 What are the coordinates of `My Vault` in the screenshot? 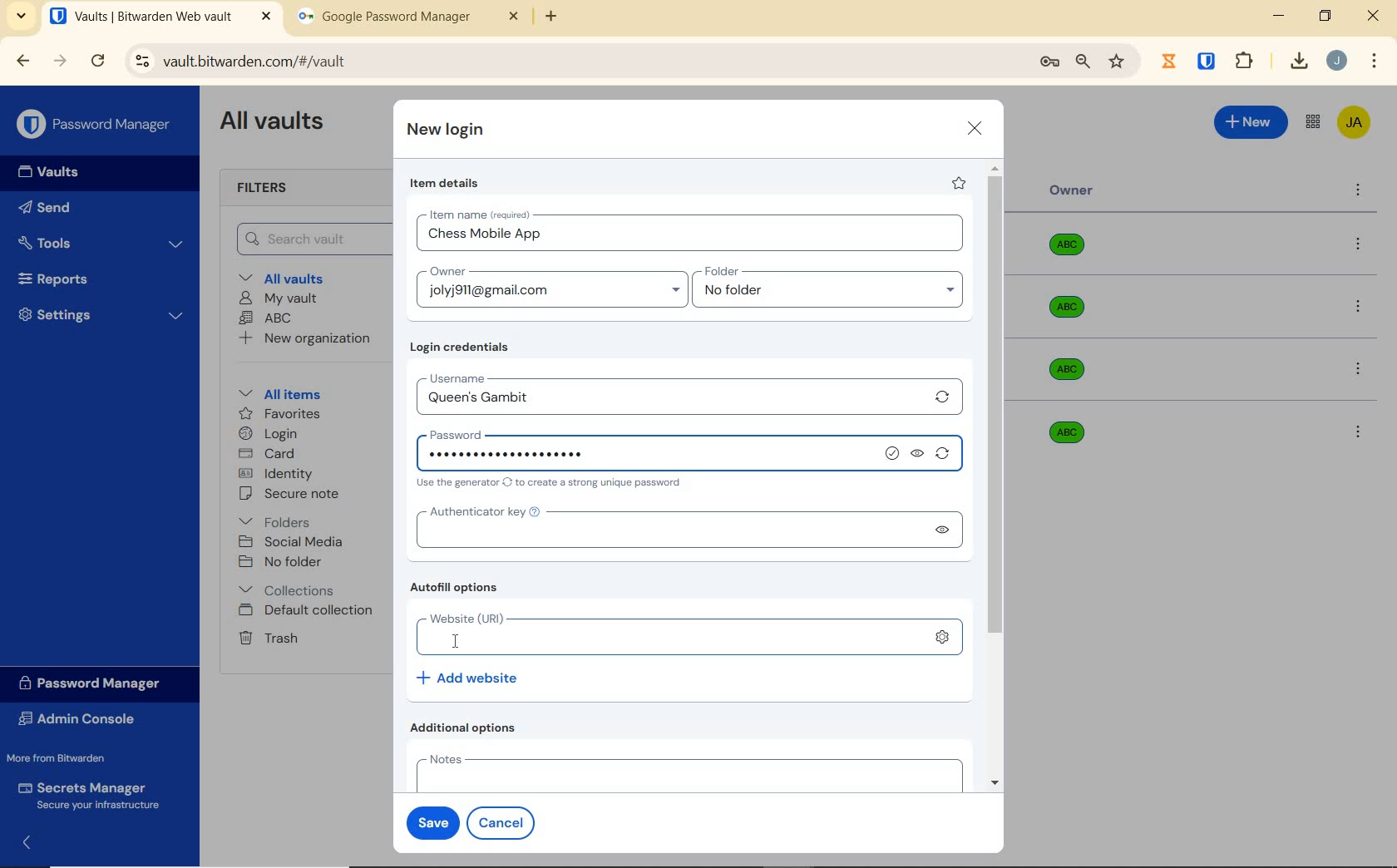 It's located at (279, 298).